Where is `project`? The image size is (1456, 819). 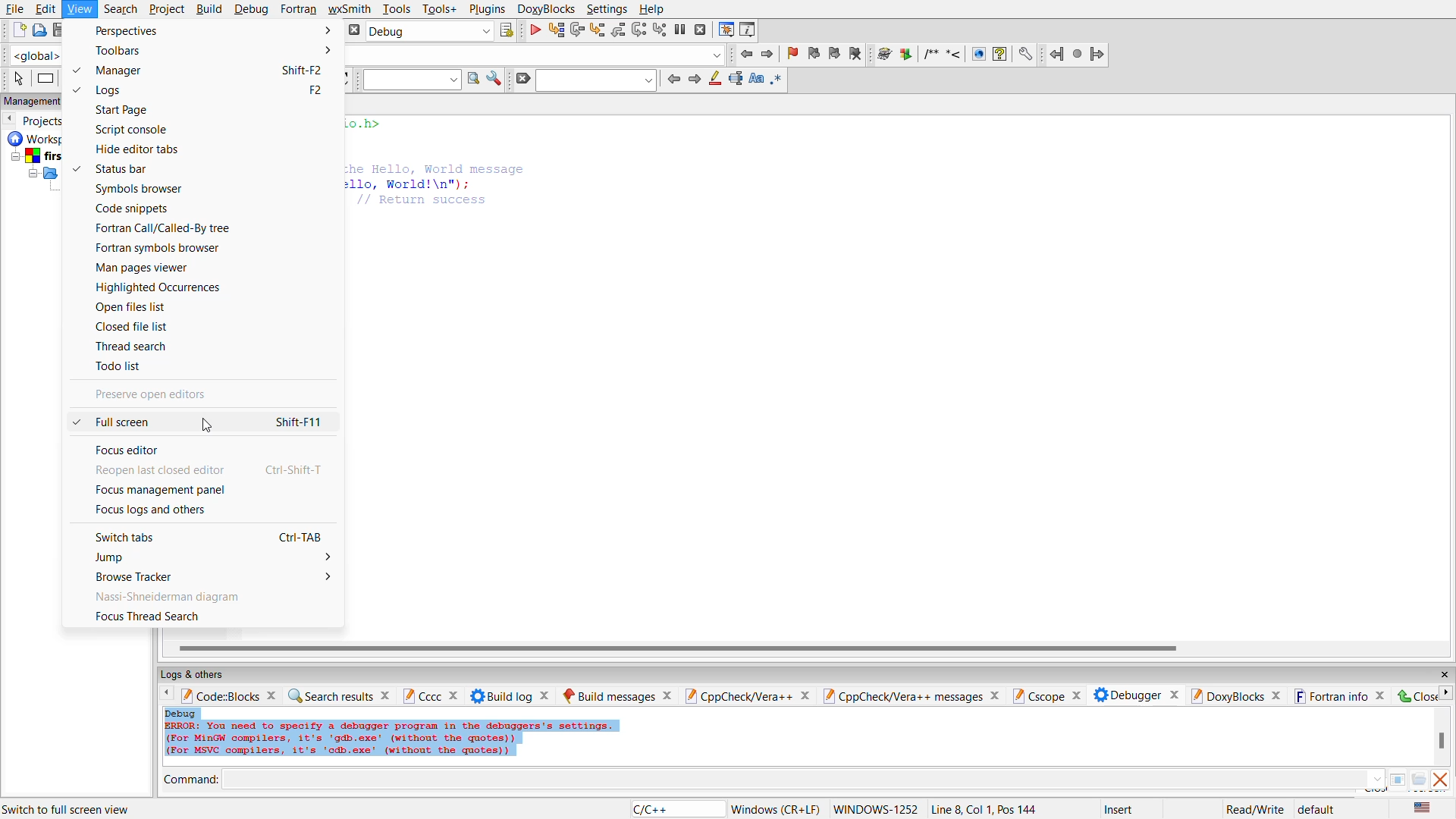
project is located at coordinates (167, 8).